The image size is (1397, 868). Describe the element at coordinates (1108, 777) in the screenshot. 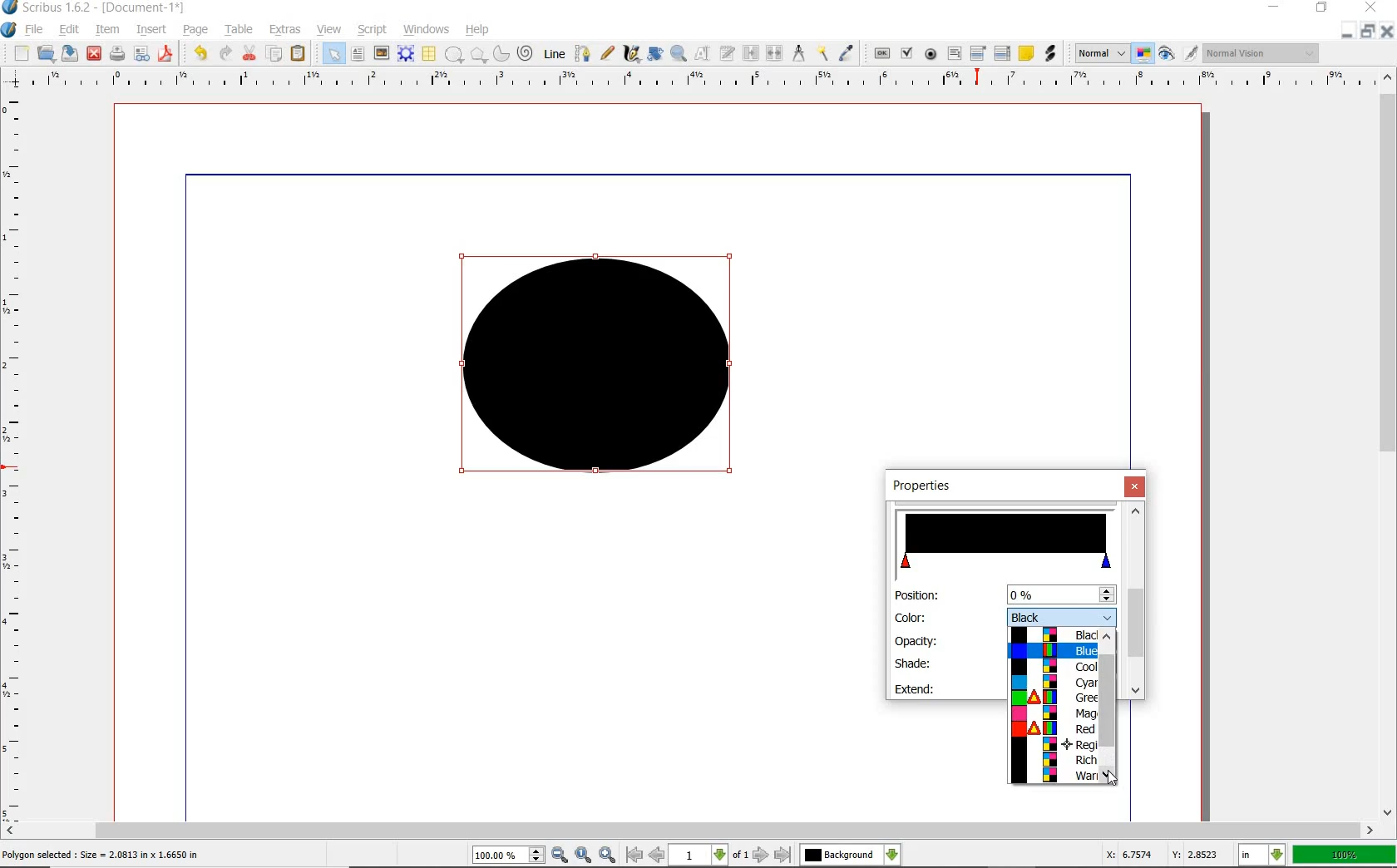

I see `scroll down` at that location.